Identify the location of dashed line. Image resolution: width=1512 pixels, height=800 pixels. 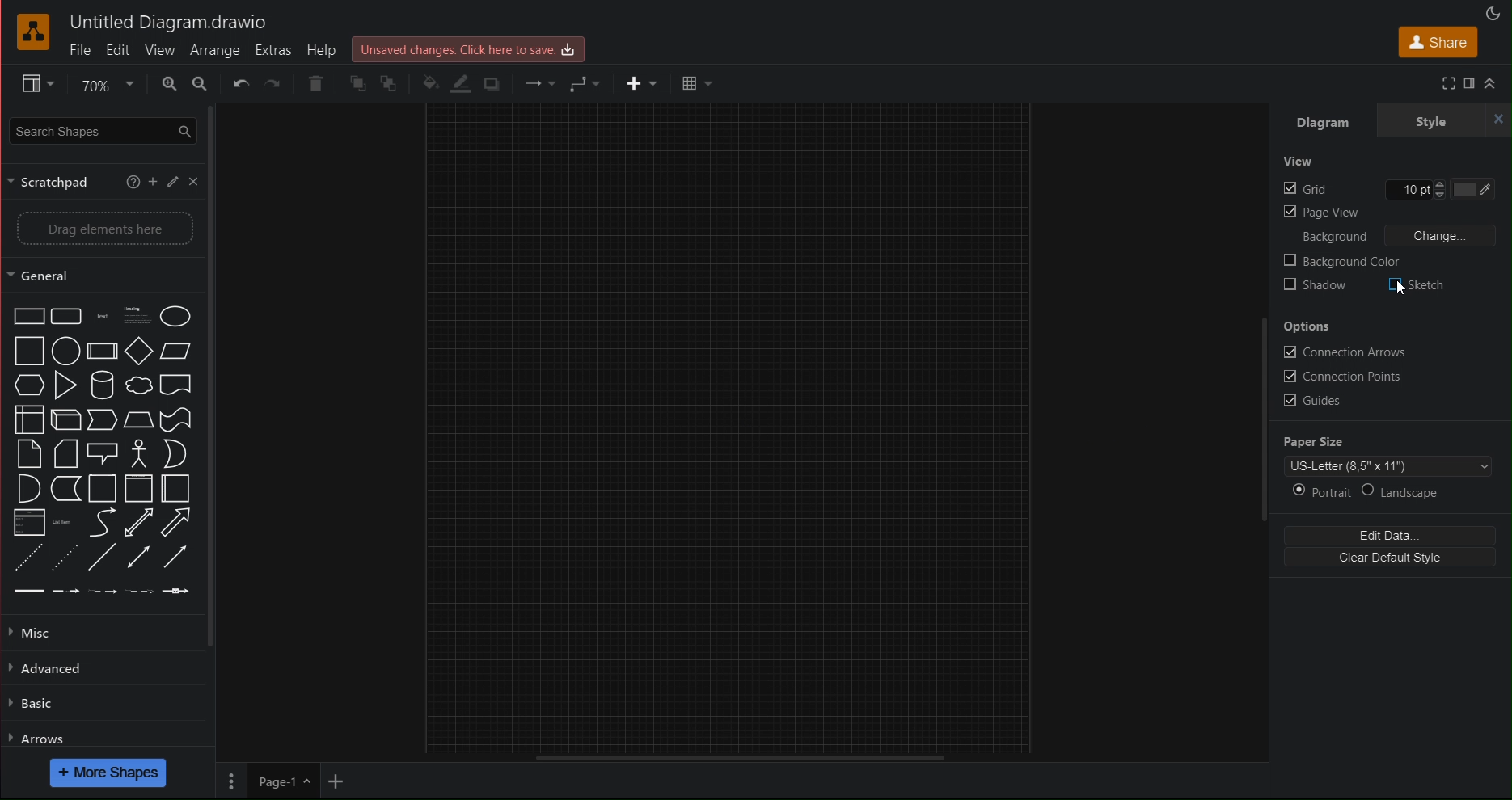
(27, 559).